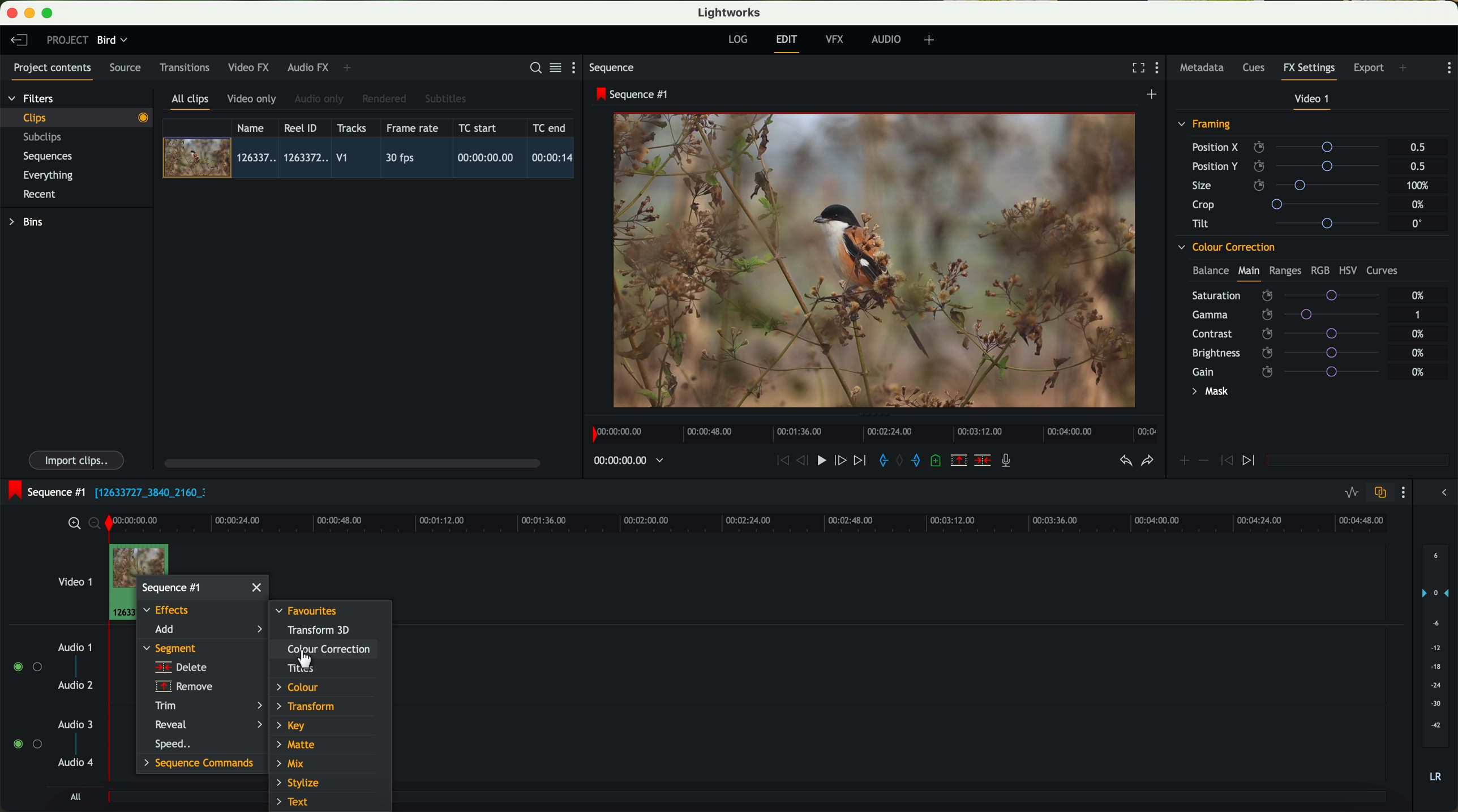 This screenshot has width=1458, height=812. I want to click on mask, so click(1208, 393).